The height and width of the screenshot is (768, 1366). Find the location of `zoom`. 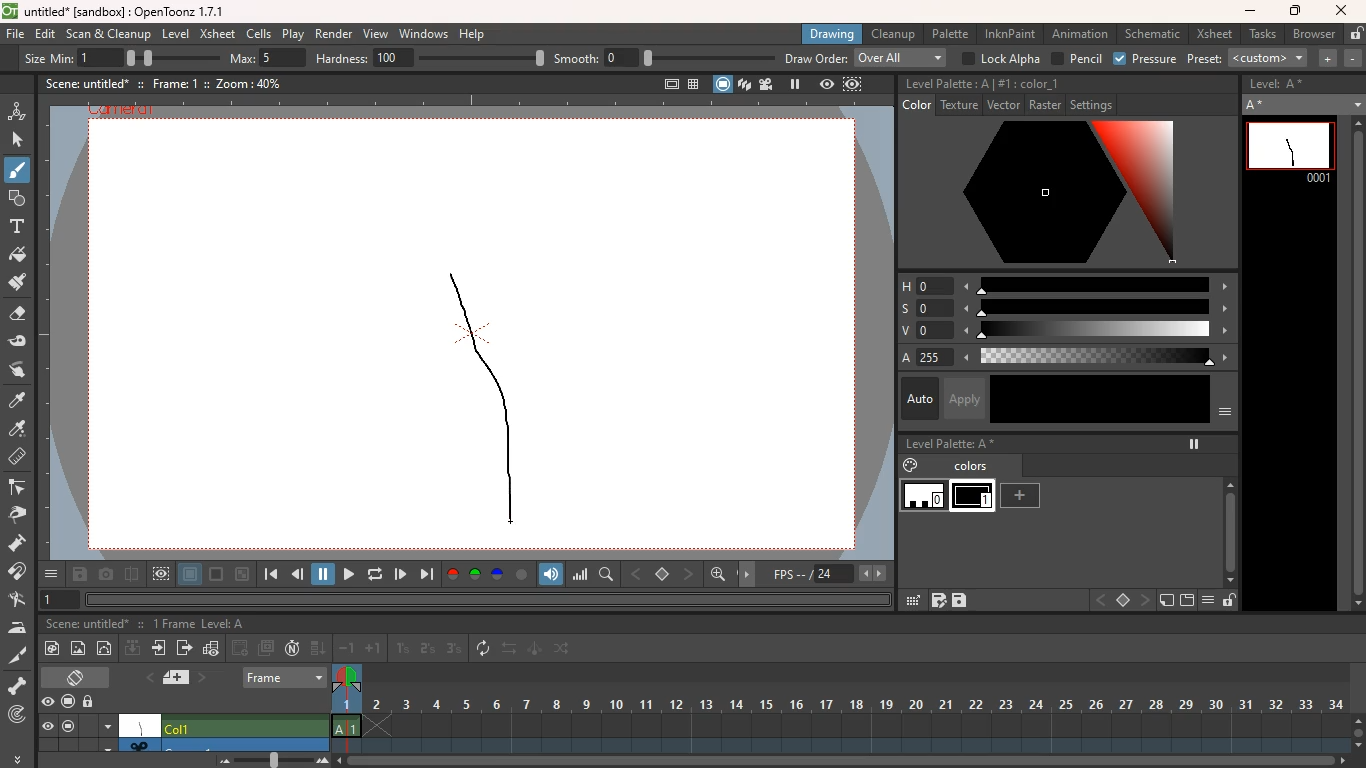

zoom is located at coordinates (1358, 730).